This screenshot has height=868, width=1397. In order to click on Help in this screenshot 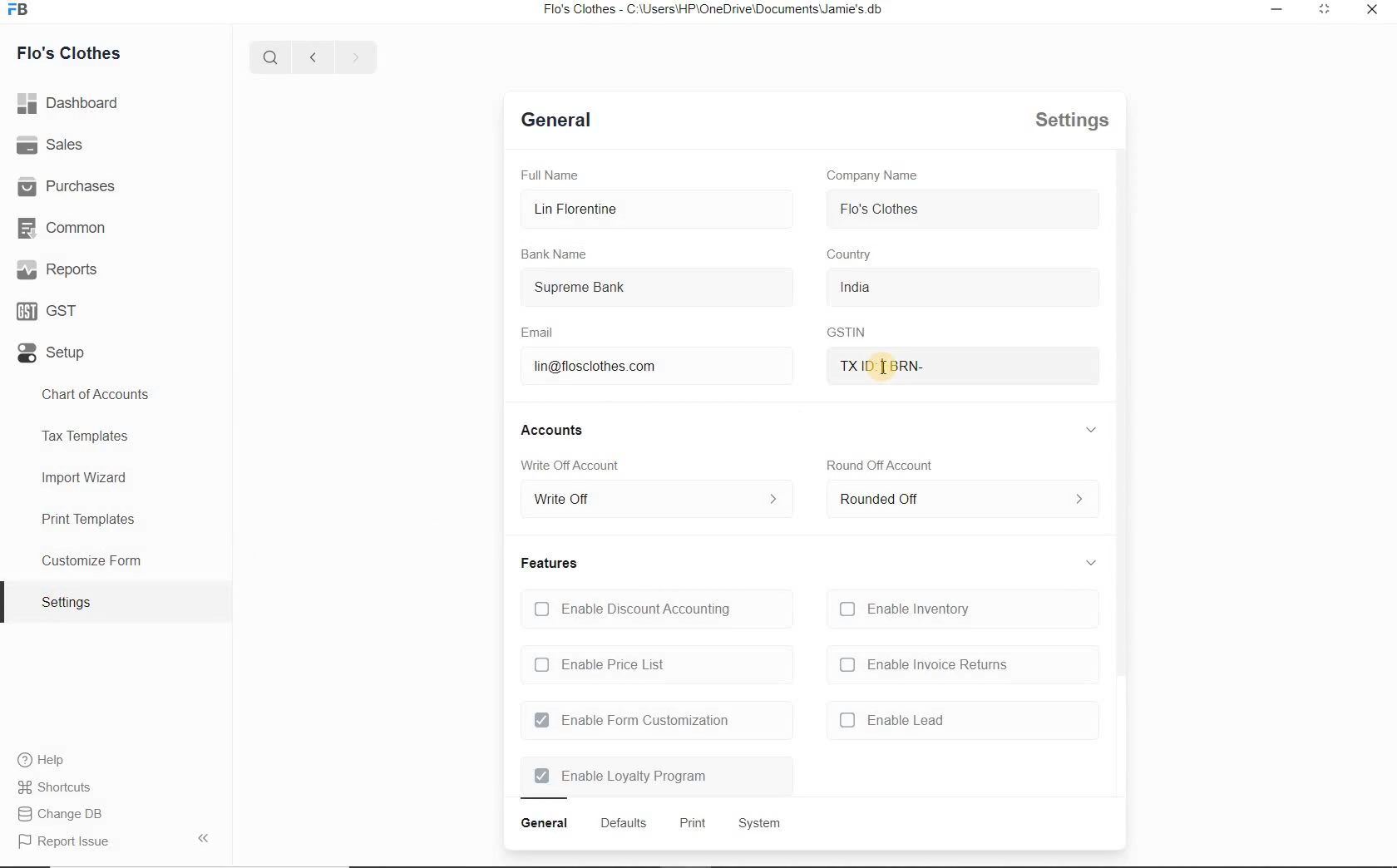, I will do `click(47, 760)`.